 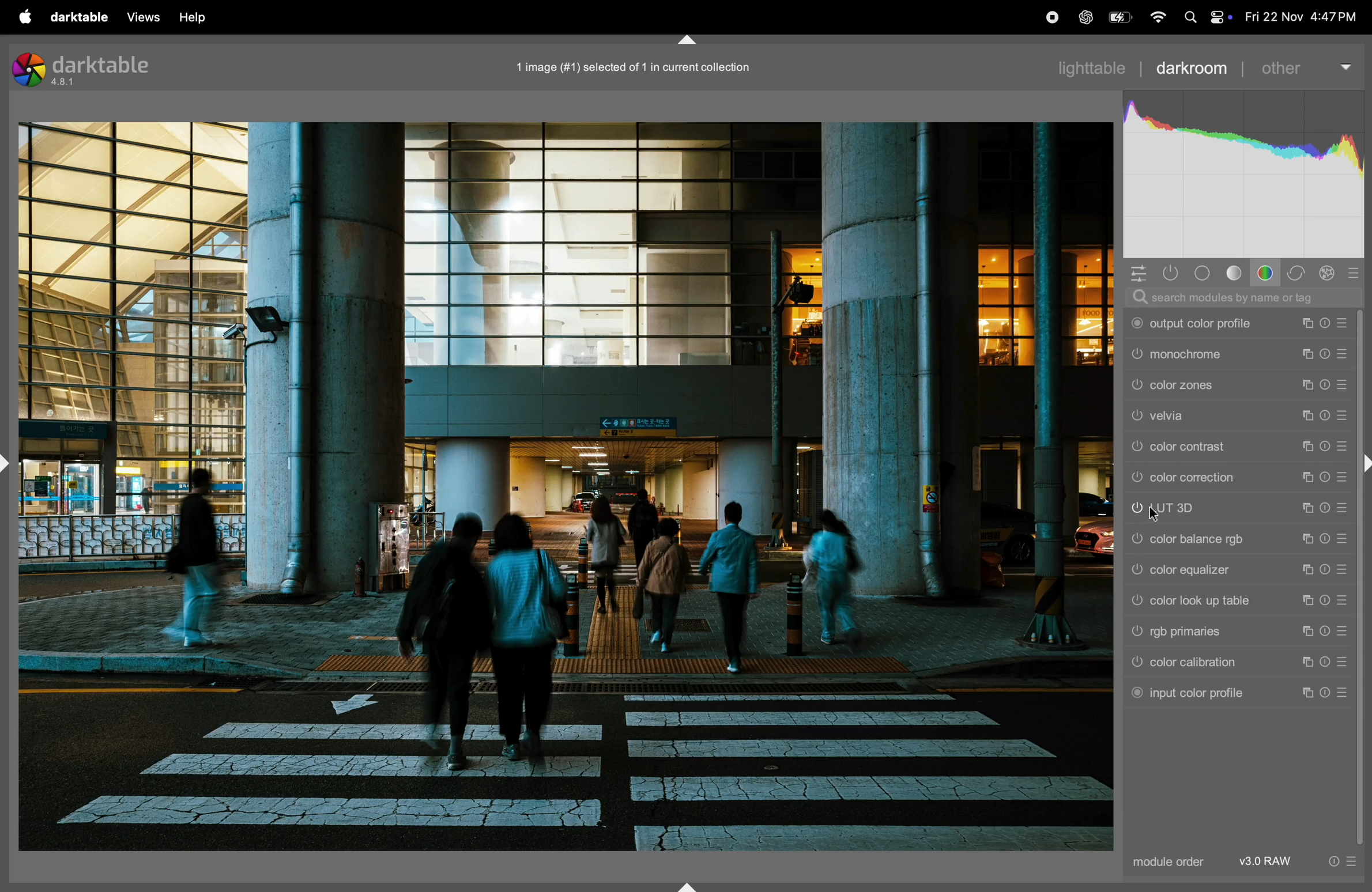 I want to click on multiple intance actions, so click(x=1310, y=601).